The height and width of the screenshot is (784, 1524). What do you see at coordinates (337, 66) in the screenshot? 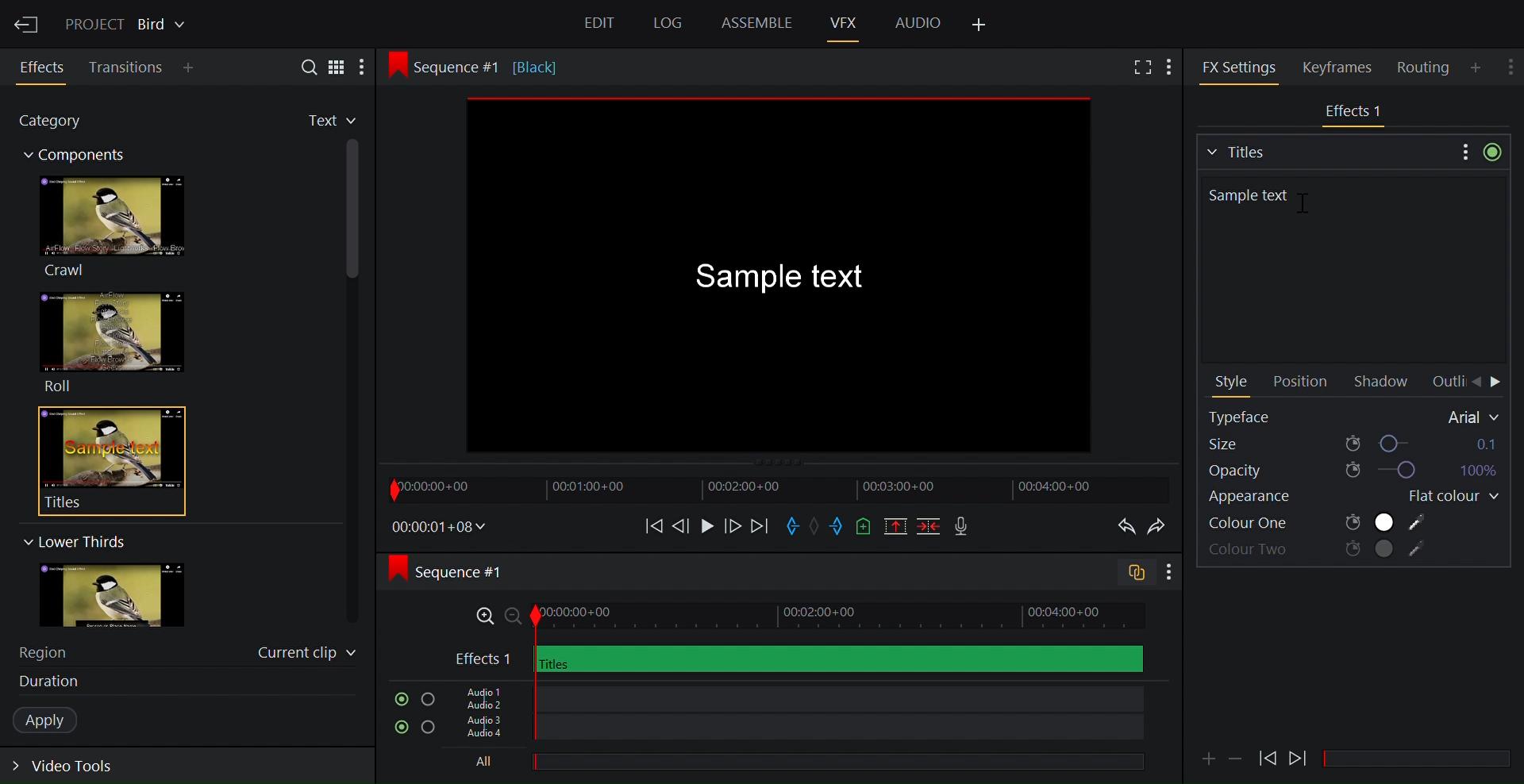
I see `Toggle between list and tile view` at bounding box center [337, 66].